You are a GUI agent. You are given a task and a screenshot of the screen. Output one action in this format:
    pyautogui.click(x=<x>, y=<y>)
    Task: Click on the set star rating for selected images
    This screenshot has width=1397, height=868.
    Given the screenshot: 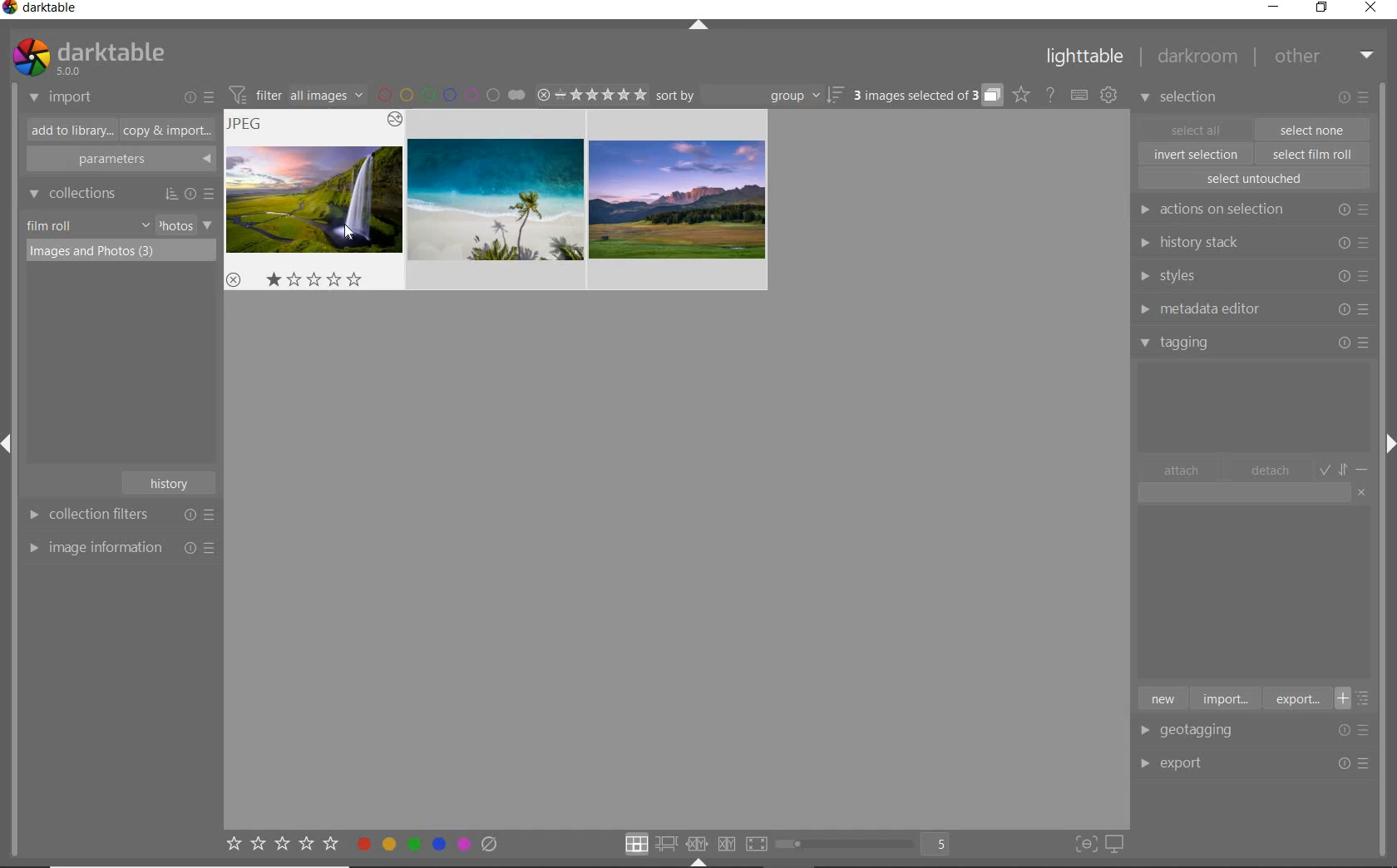 What is the action you would take?
    pyautogui.click(x=281, y=846)
    